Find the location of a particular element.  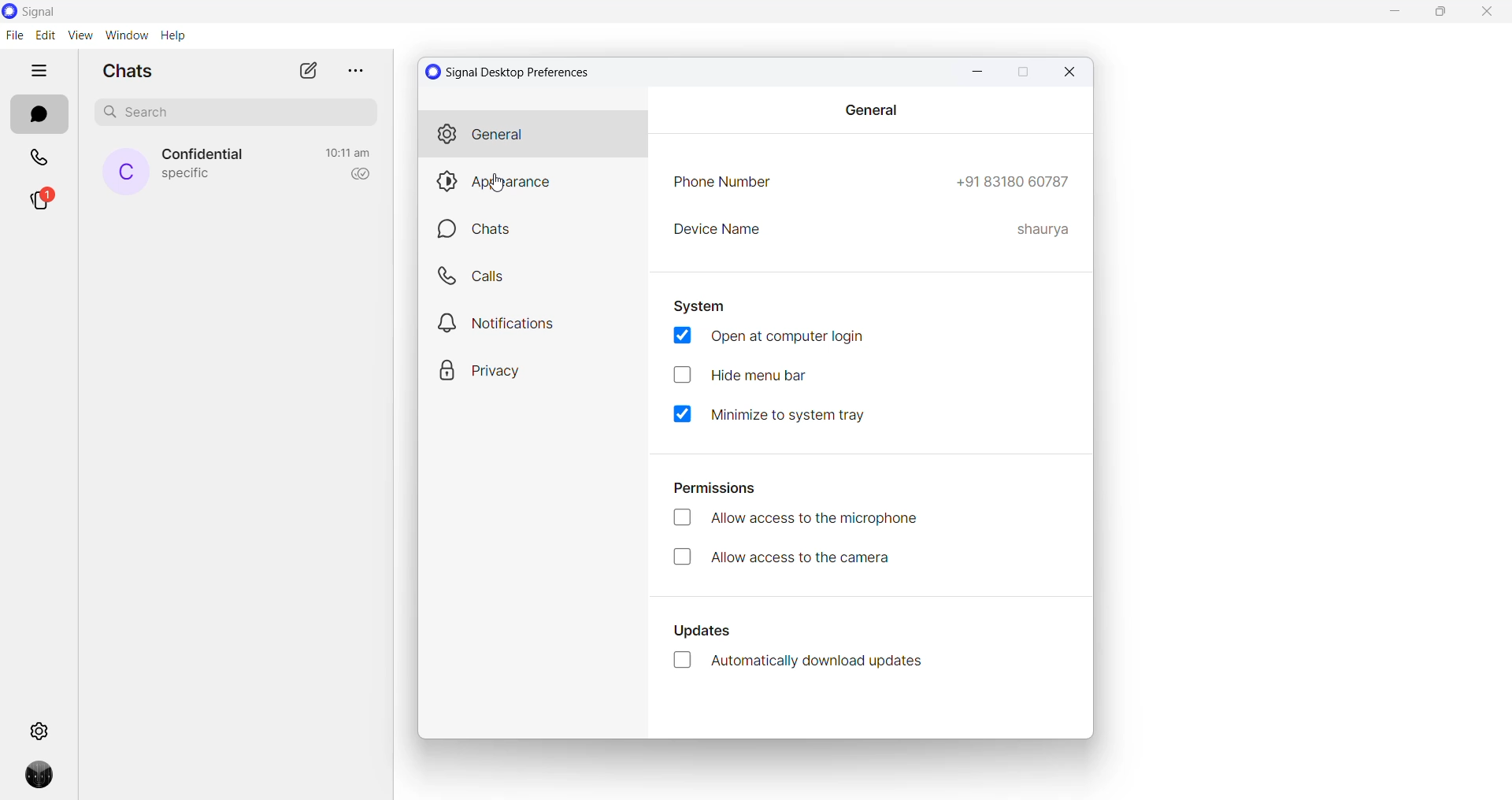

view is located at coordinates (80, 35).